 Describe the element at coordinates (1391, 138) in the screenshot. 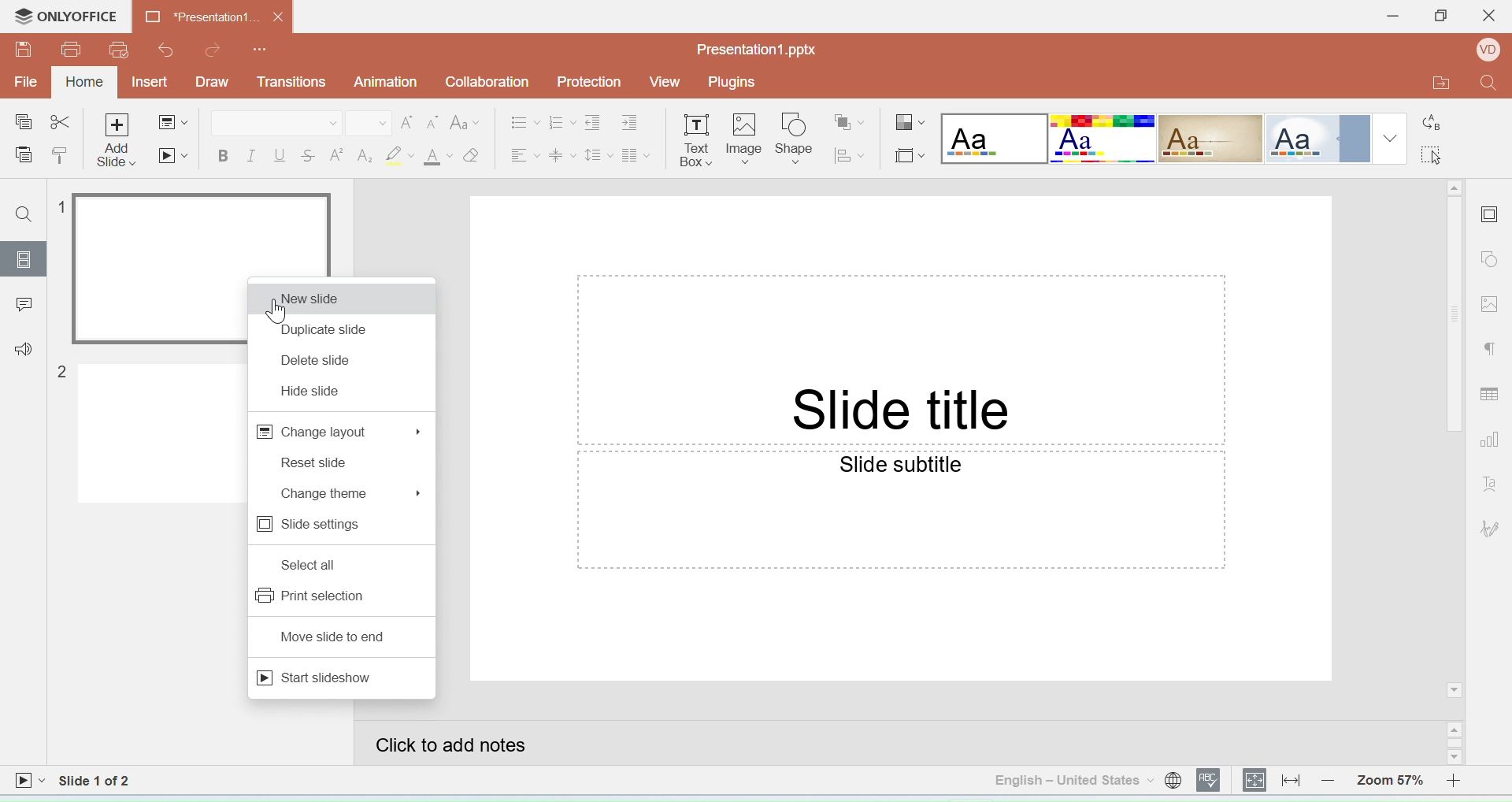

I see `Drop down` at that location.